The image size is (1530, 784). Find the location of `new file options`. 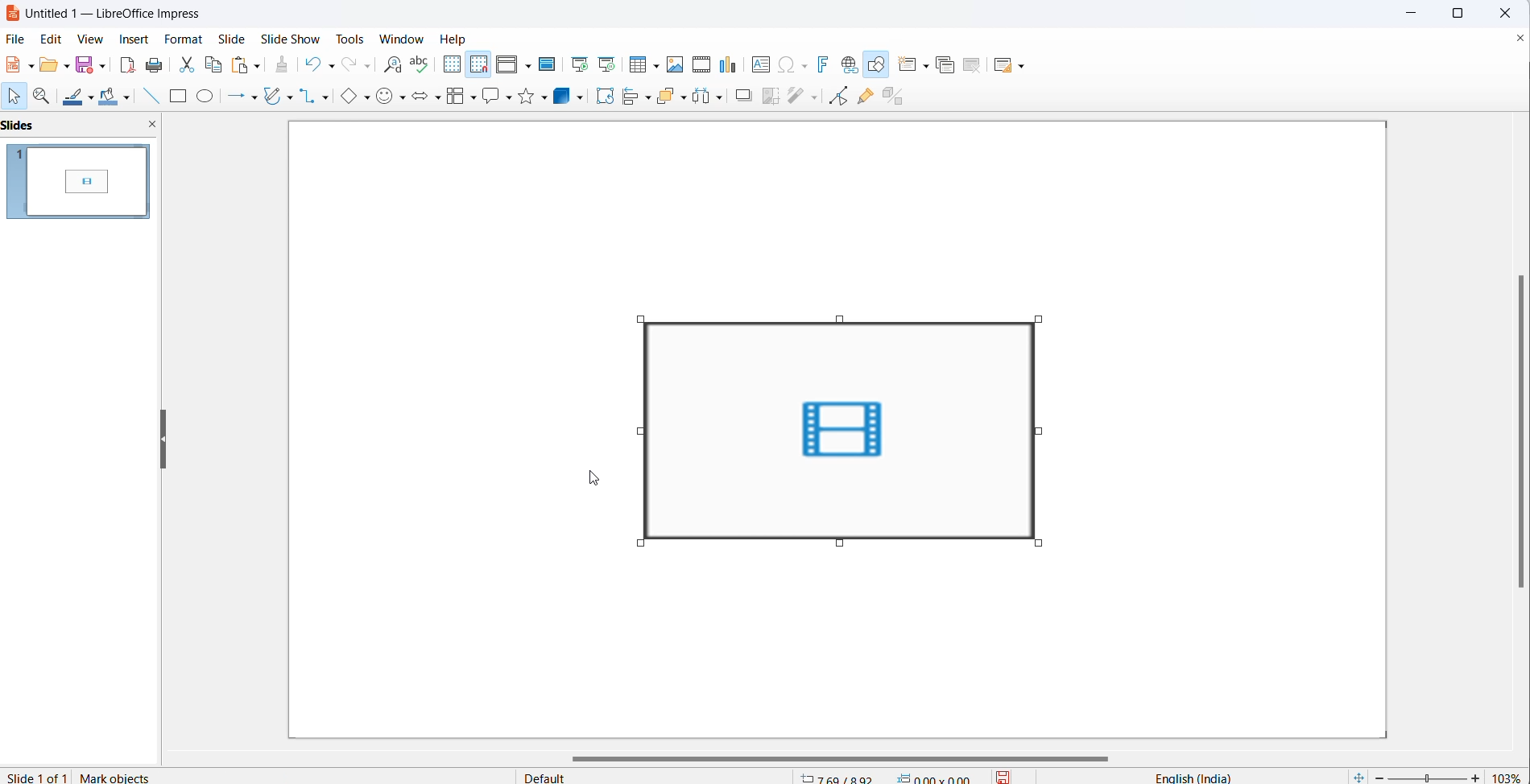

new file options is located at coordinates (31, 64).